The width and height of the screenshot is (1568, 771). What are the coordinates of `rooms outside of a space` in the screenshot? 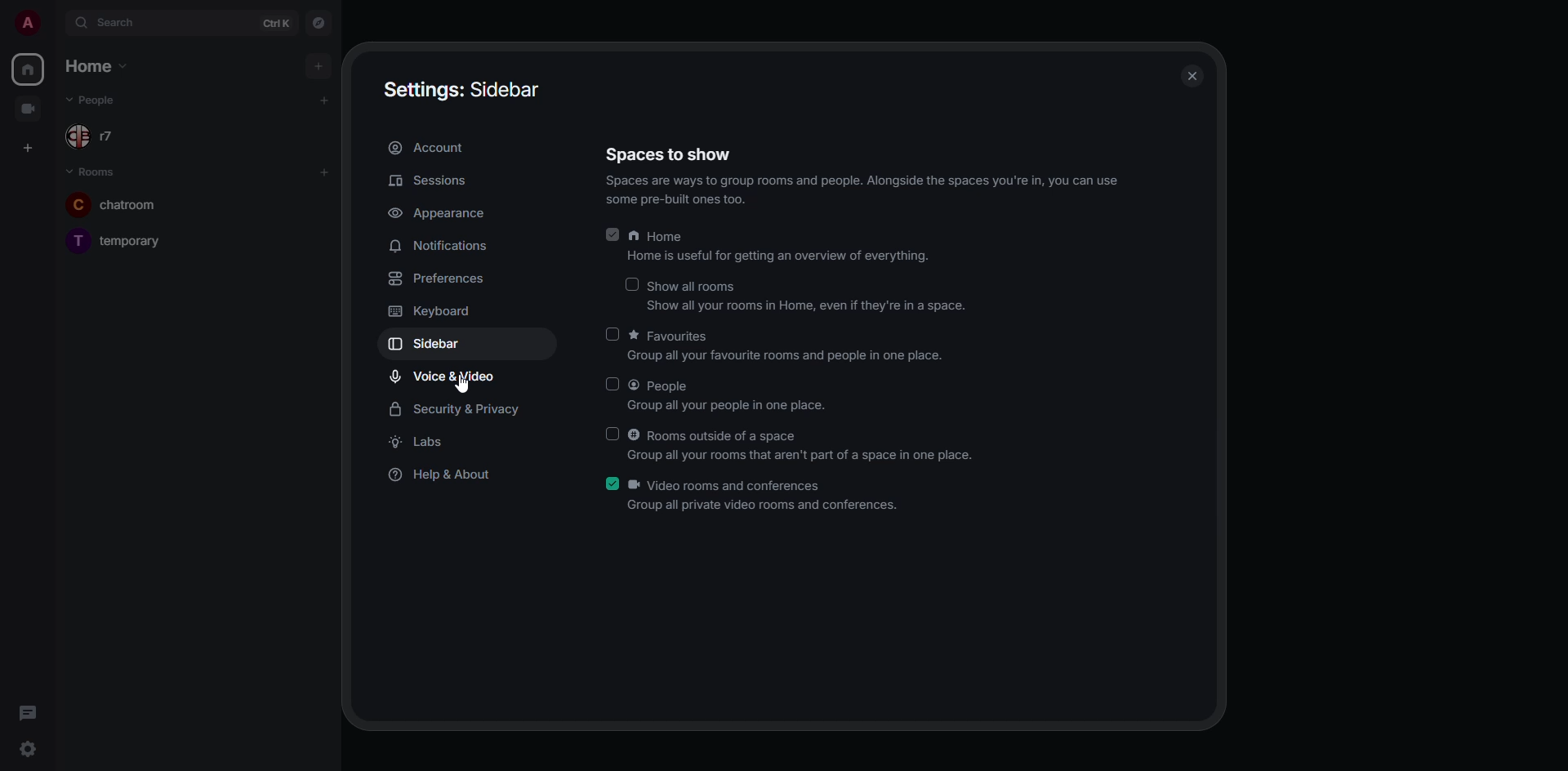 It's located at (801, 447).